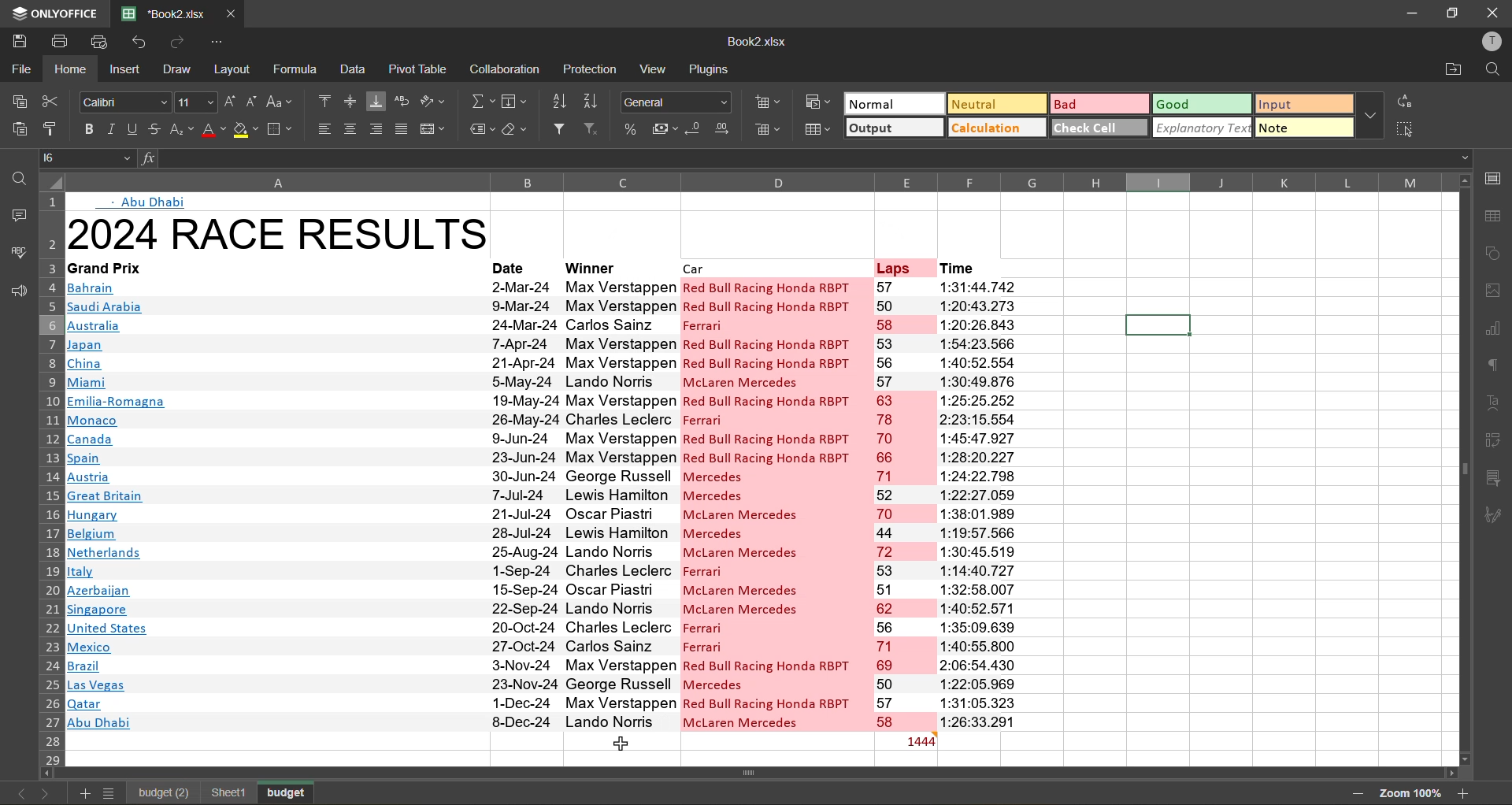 Image resolution: width=1512 pixels, height=805 pixels. Describe the element at coordinates (213, 131) in the screenshot. I see `font color` at that location.